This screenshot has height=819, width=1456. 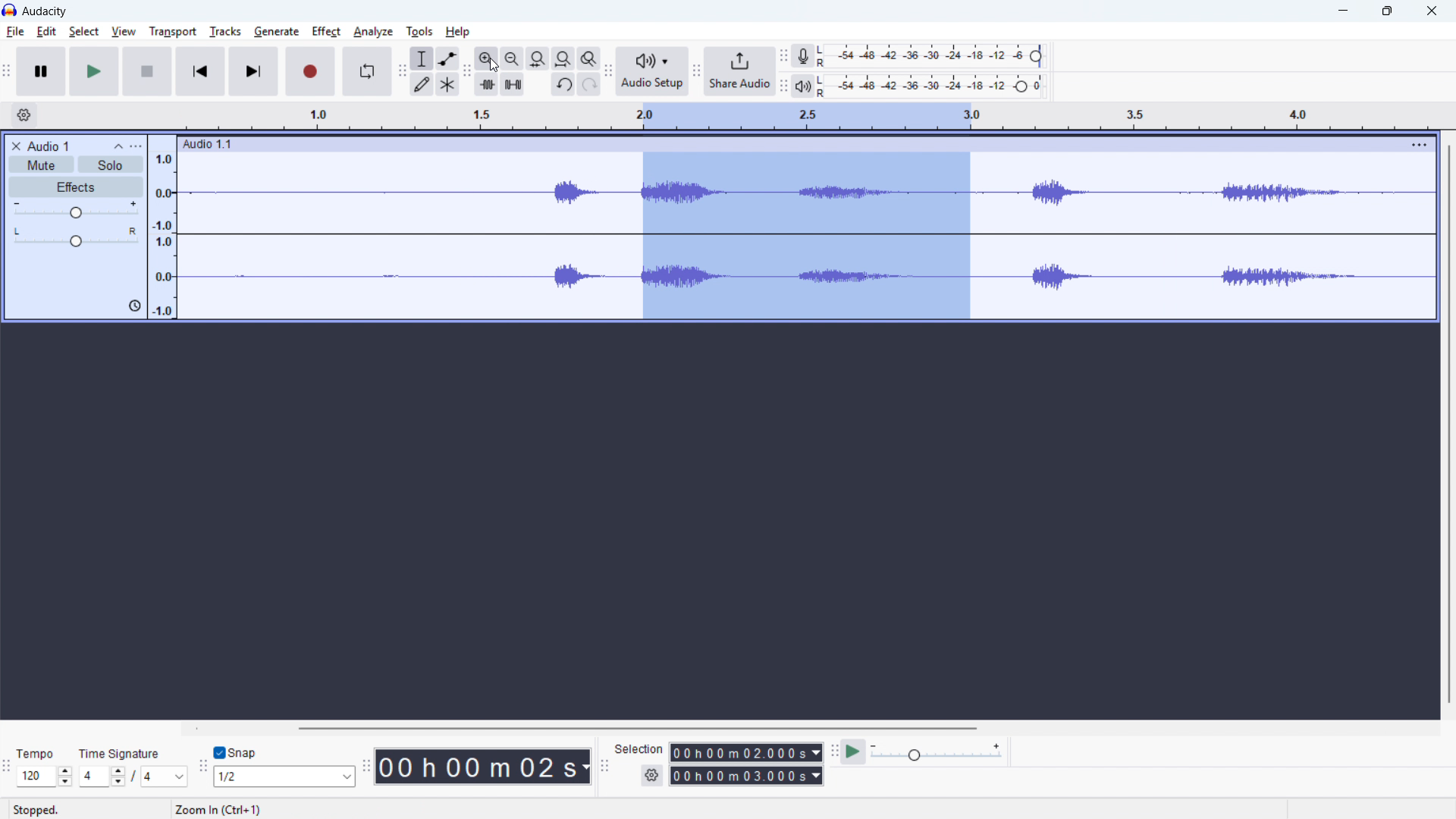 What do you see at coordinates (537, 59) in the screenshot?
I see `Fit selection to width` at bounding box center [537, 59].